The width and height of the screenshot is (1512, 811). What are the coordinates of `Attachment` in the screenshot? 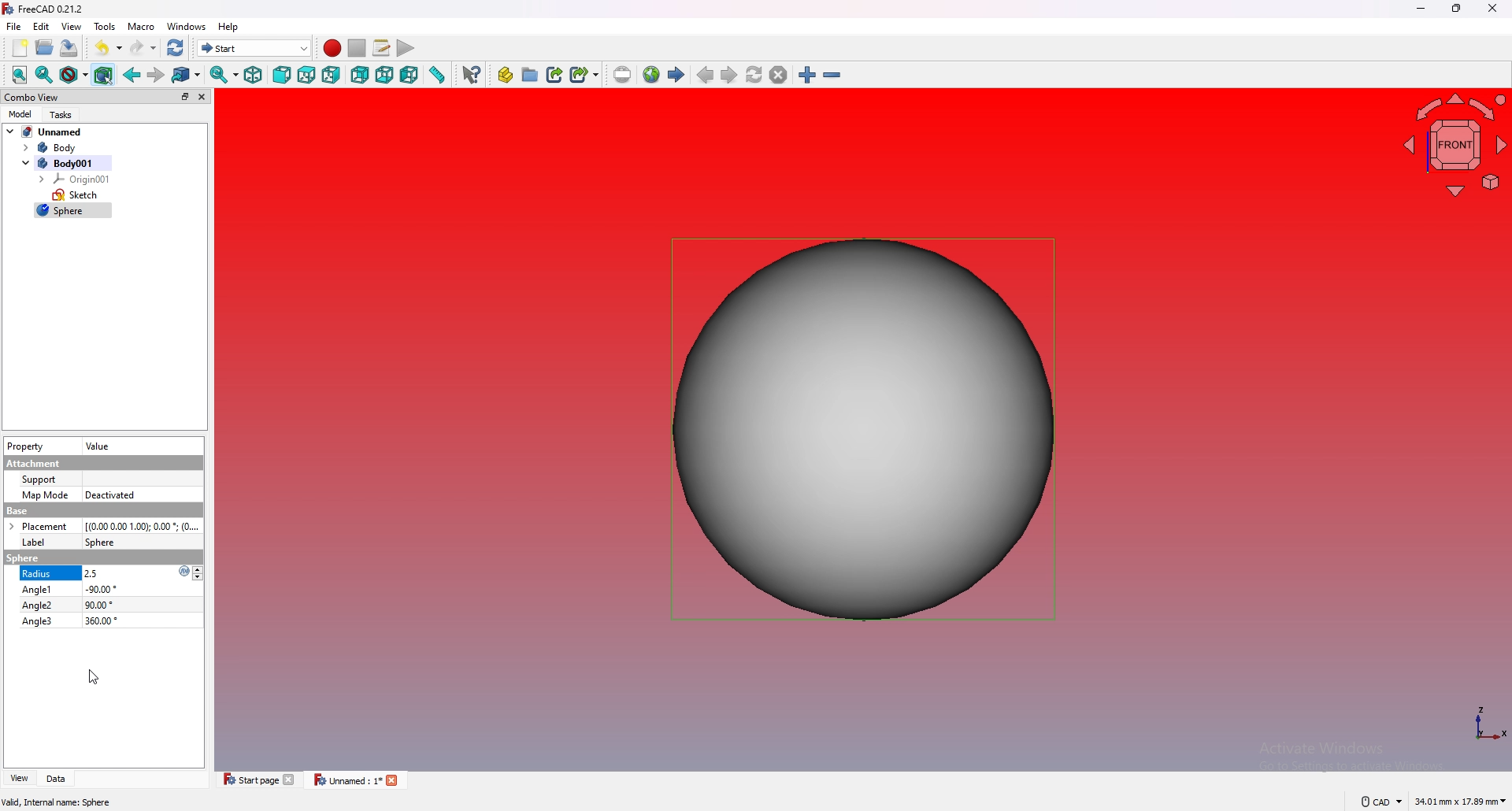 It's located at (34, 464).